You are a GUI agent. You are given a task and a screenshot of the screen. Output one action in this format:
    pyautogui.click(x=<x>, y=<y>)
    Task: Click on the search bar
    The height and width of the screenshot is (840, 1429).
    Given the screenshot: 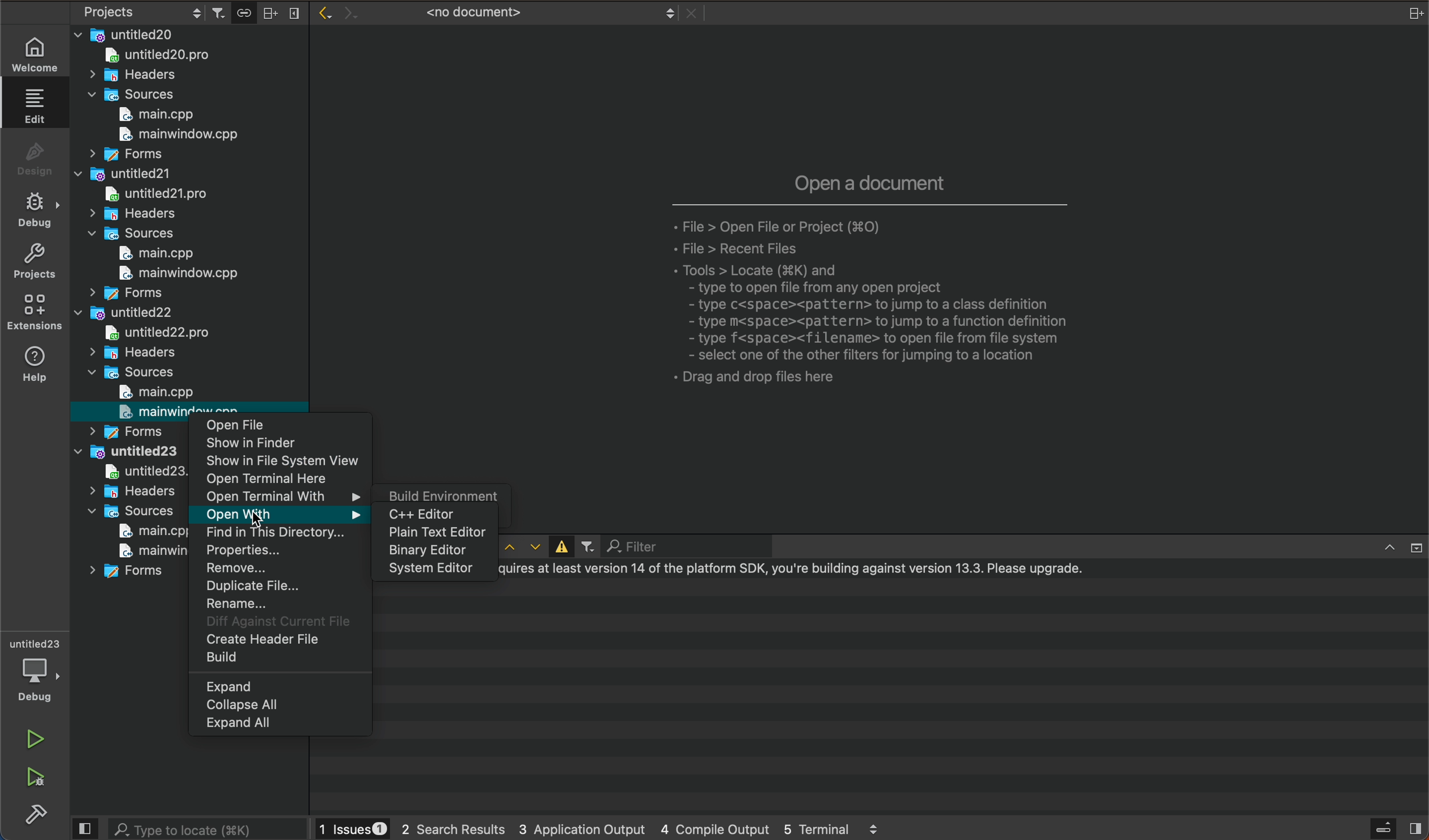 What is the action you would take?
    pyautogui.click(x=208, y=828)
    